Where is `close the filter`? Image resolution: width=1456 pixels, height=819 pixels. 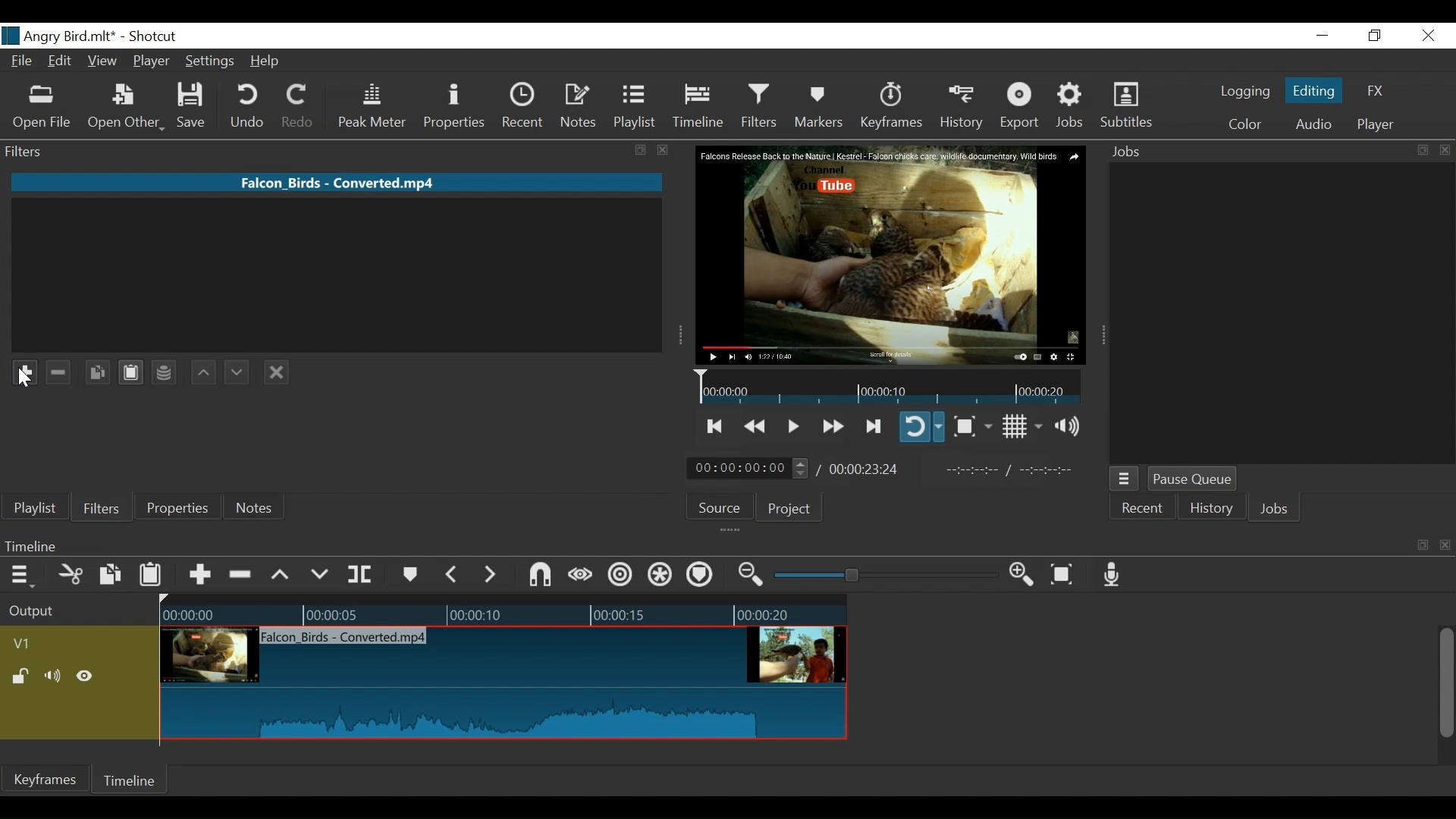
close the filter is located at coordinates (277, 372).